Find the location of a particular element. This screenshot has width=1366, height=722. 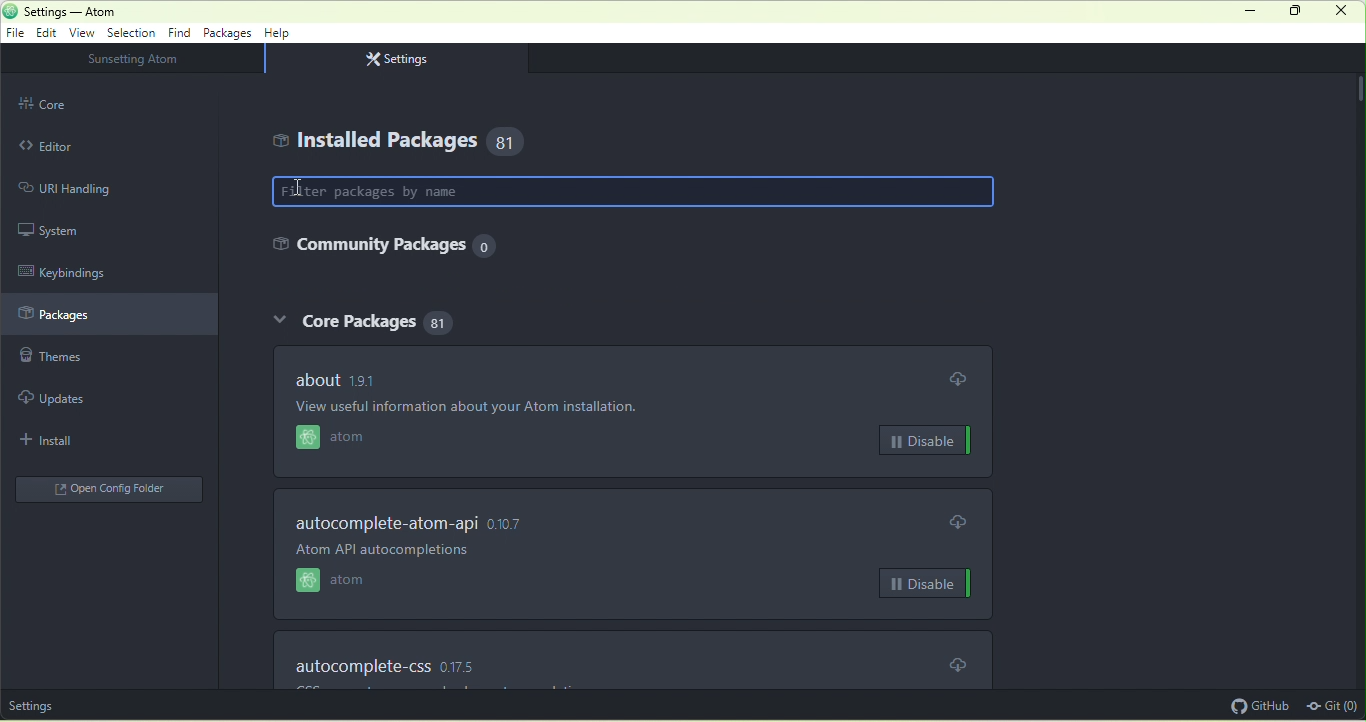

core packages is located at coordinates (362, 325).